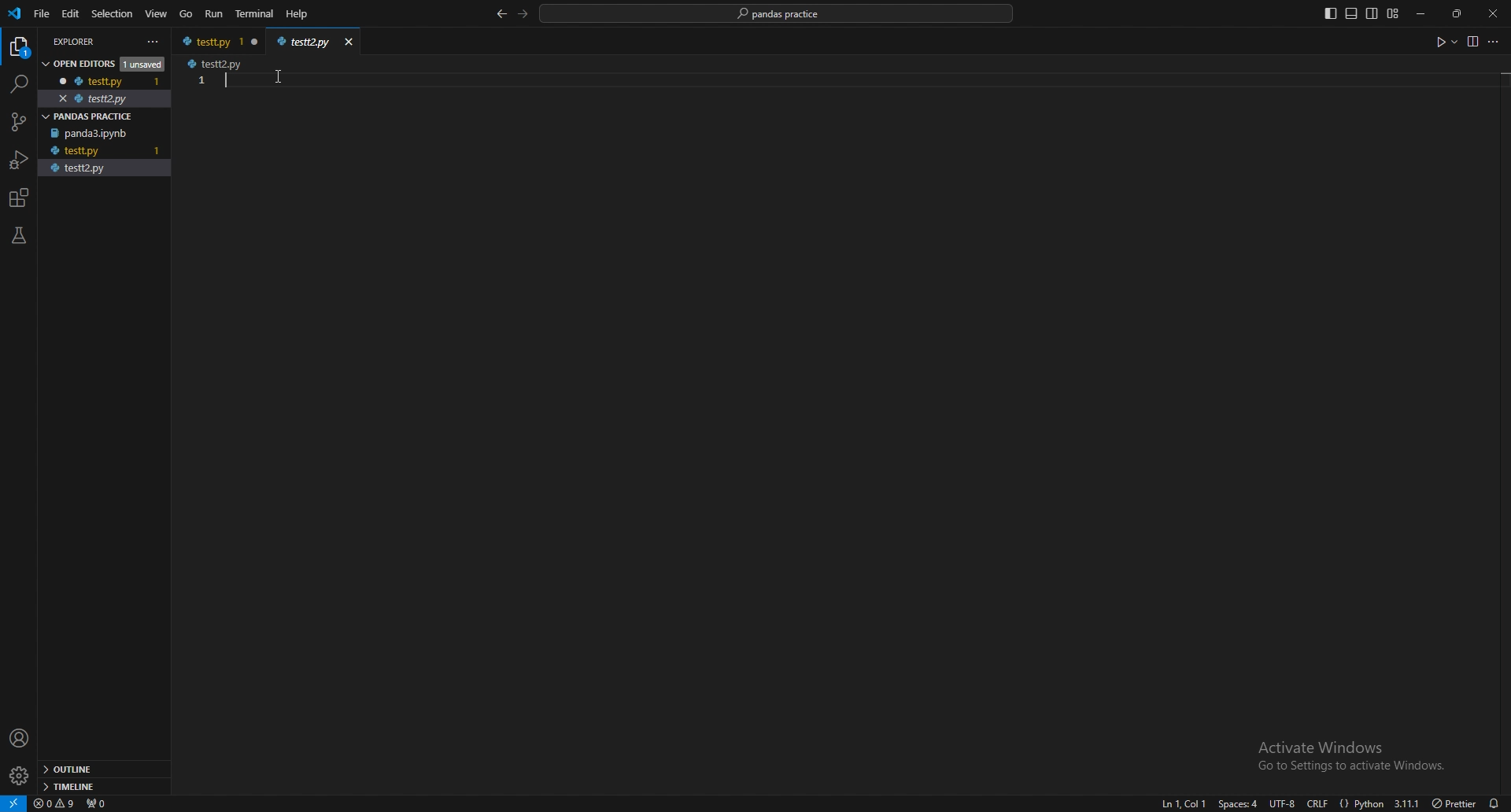 This screenshot has height=812, width=1511. I want to click on view, so click(157, 14).